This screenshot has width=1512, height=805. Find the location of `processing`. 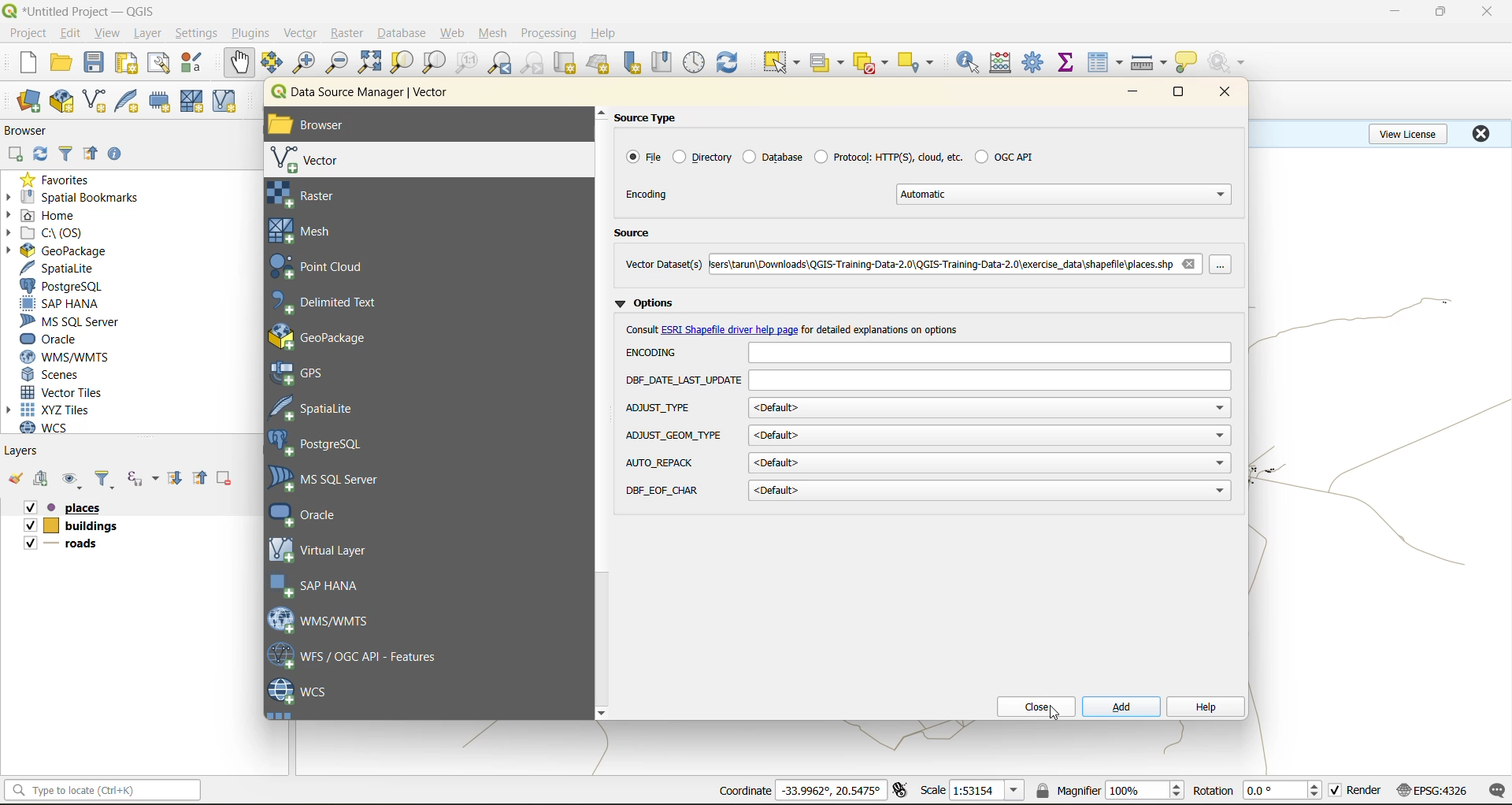

processing is located at coordinates (549, 34).